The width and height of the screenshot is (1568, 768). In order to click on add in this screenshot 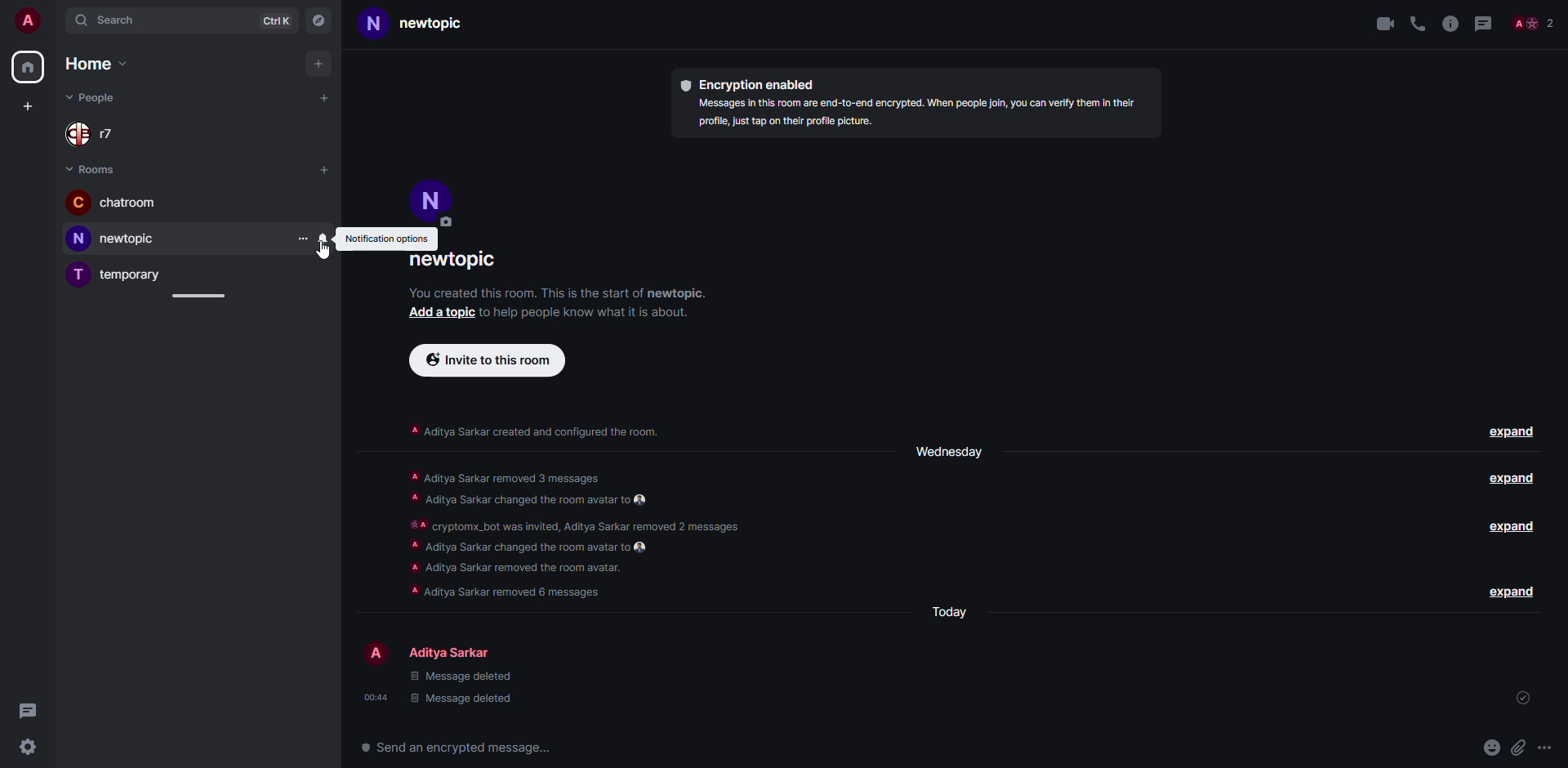, I will do `click(325, 97)`.